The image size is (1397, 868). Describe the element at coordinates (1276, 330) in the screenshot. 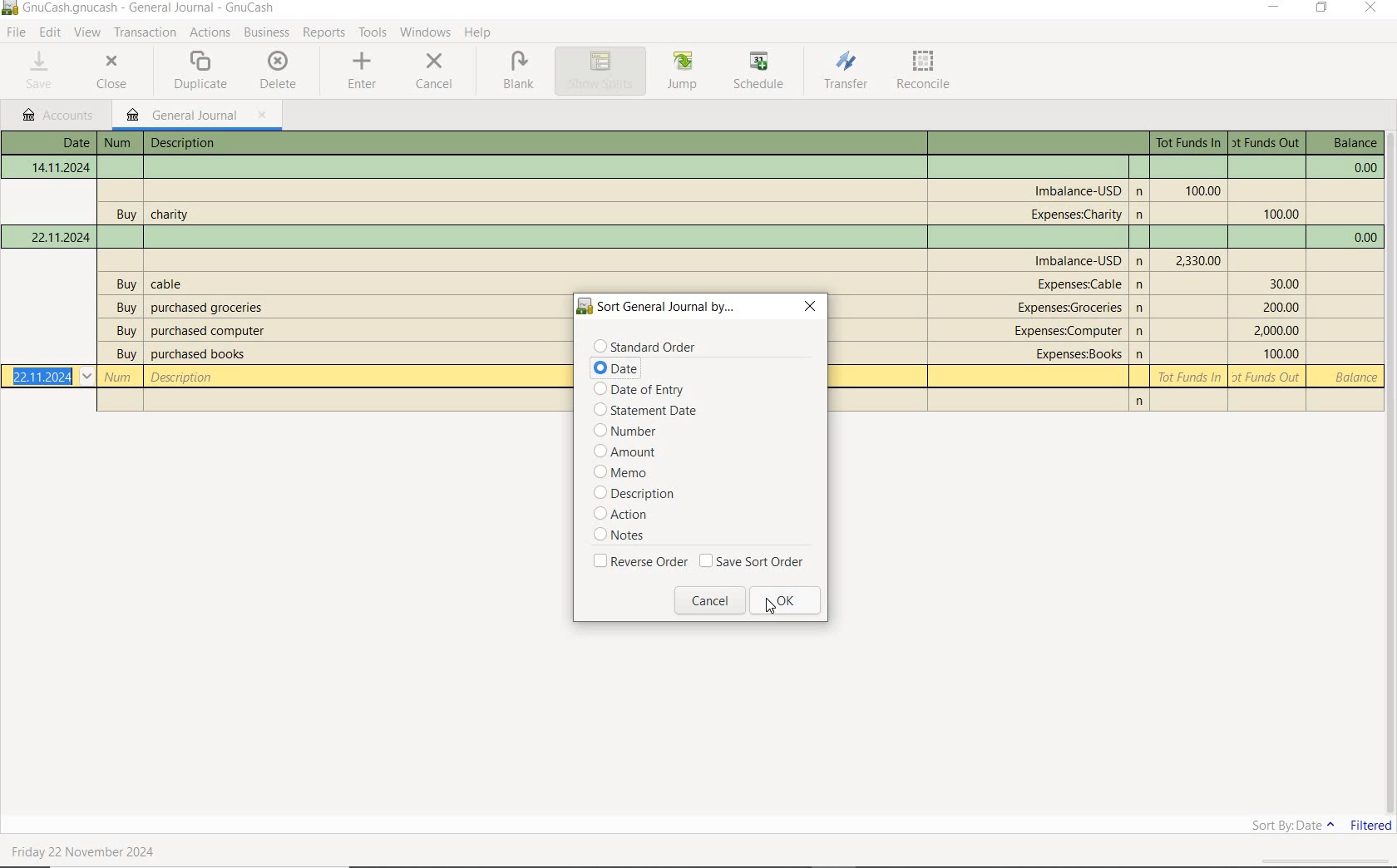

I see `Tot Funds Out` at that location.